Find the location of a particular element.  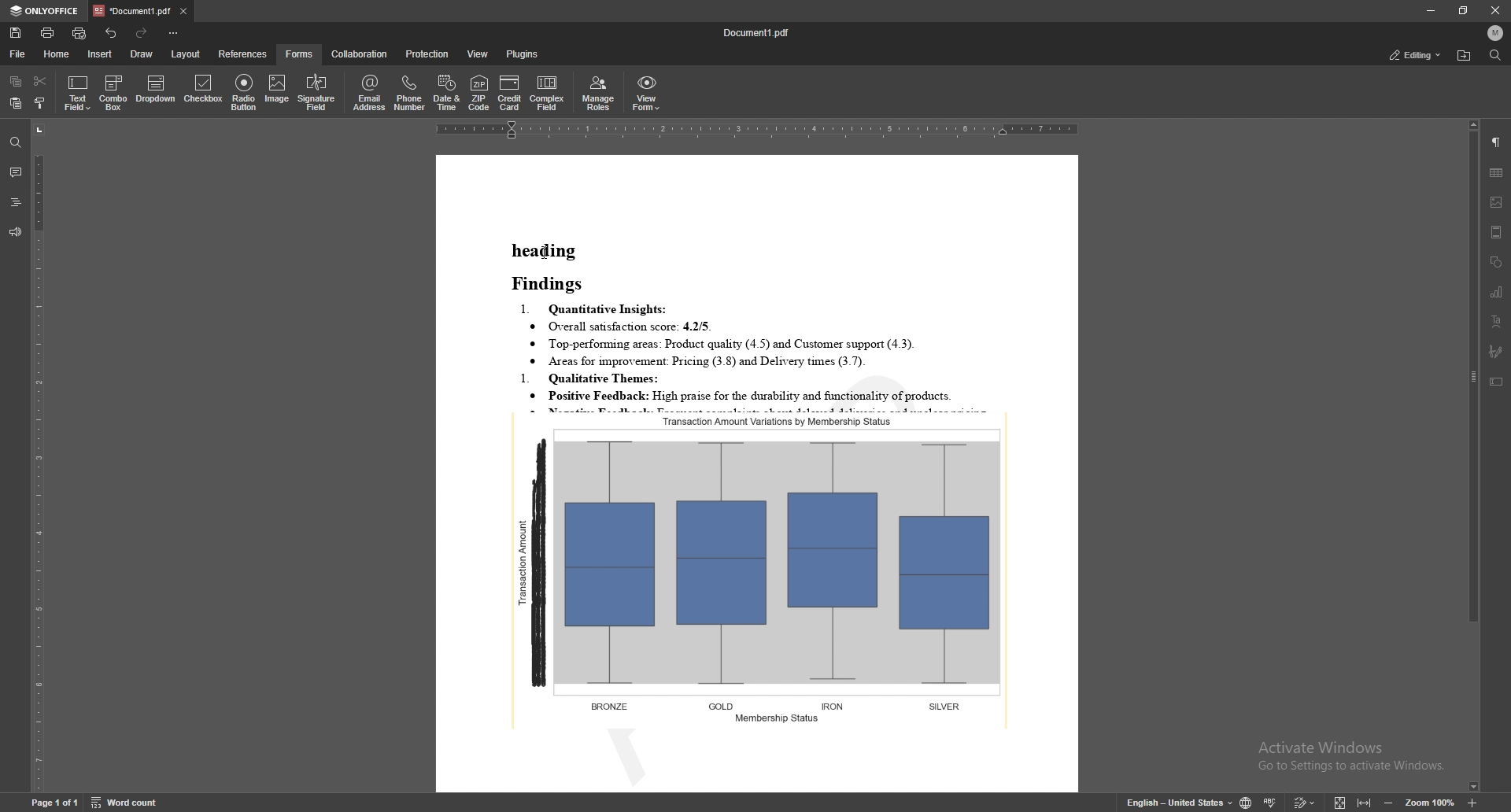

1. Qualitative Themes: is located at coordinates (598, 378).